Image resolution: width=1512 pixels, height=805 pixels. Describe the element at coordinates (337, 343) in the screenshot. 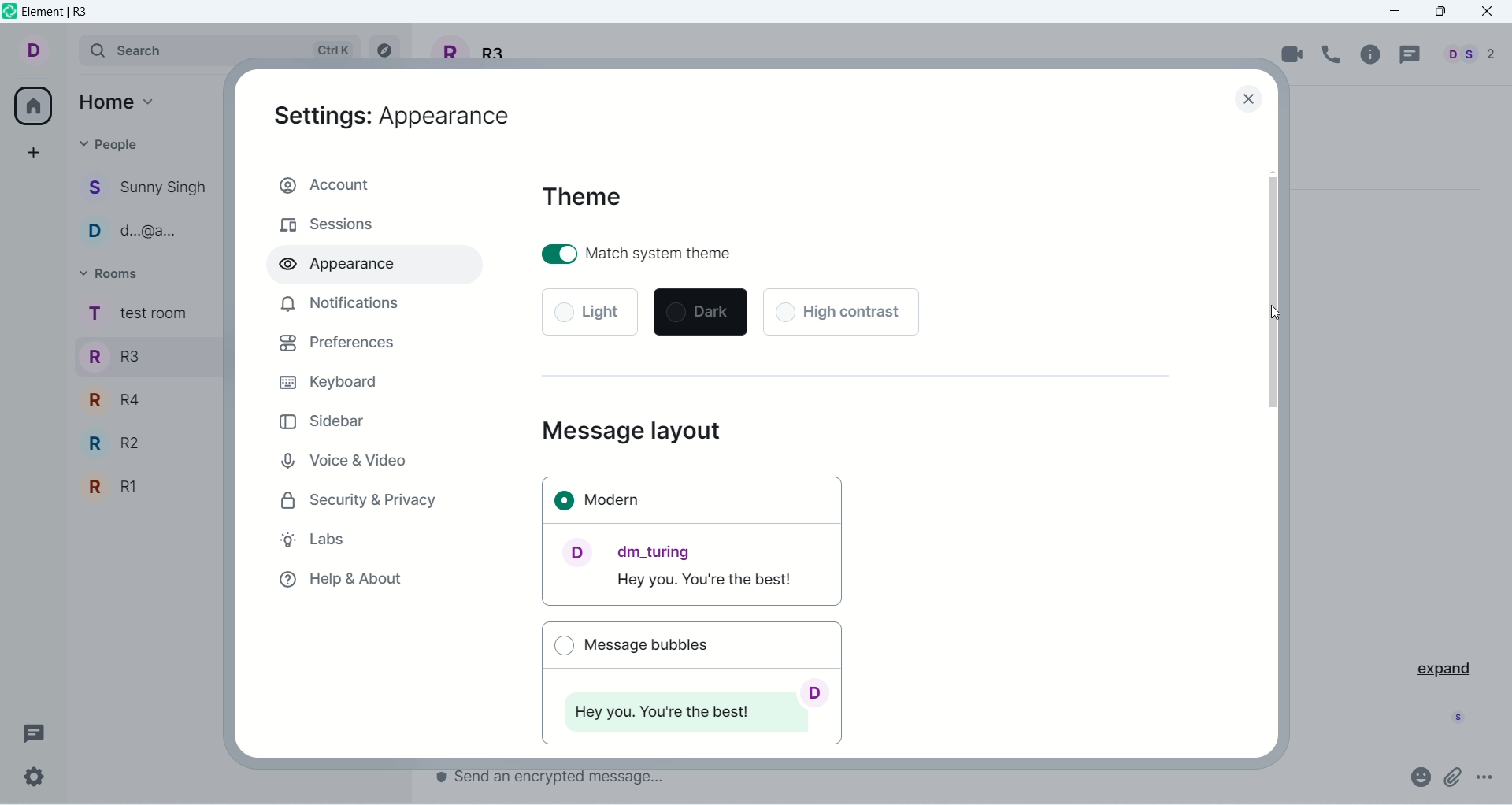

I see `preferences` at that location.